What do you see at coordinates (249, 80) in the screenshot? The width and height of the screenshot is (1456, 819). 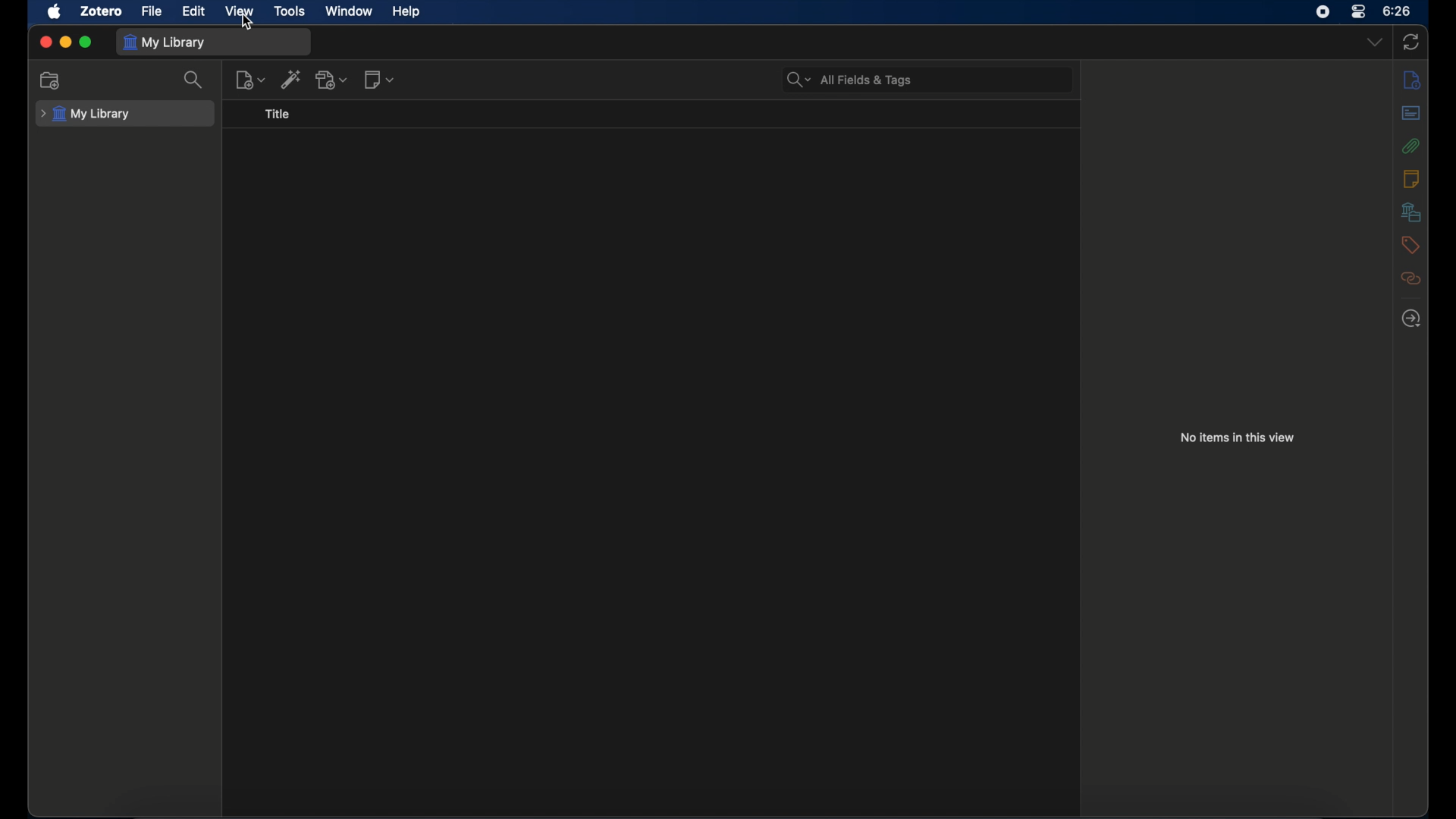 I see `new items` at bounding box center [249, 80].